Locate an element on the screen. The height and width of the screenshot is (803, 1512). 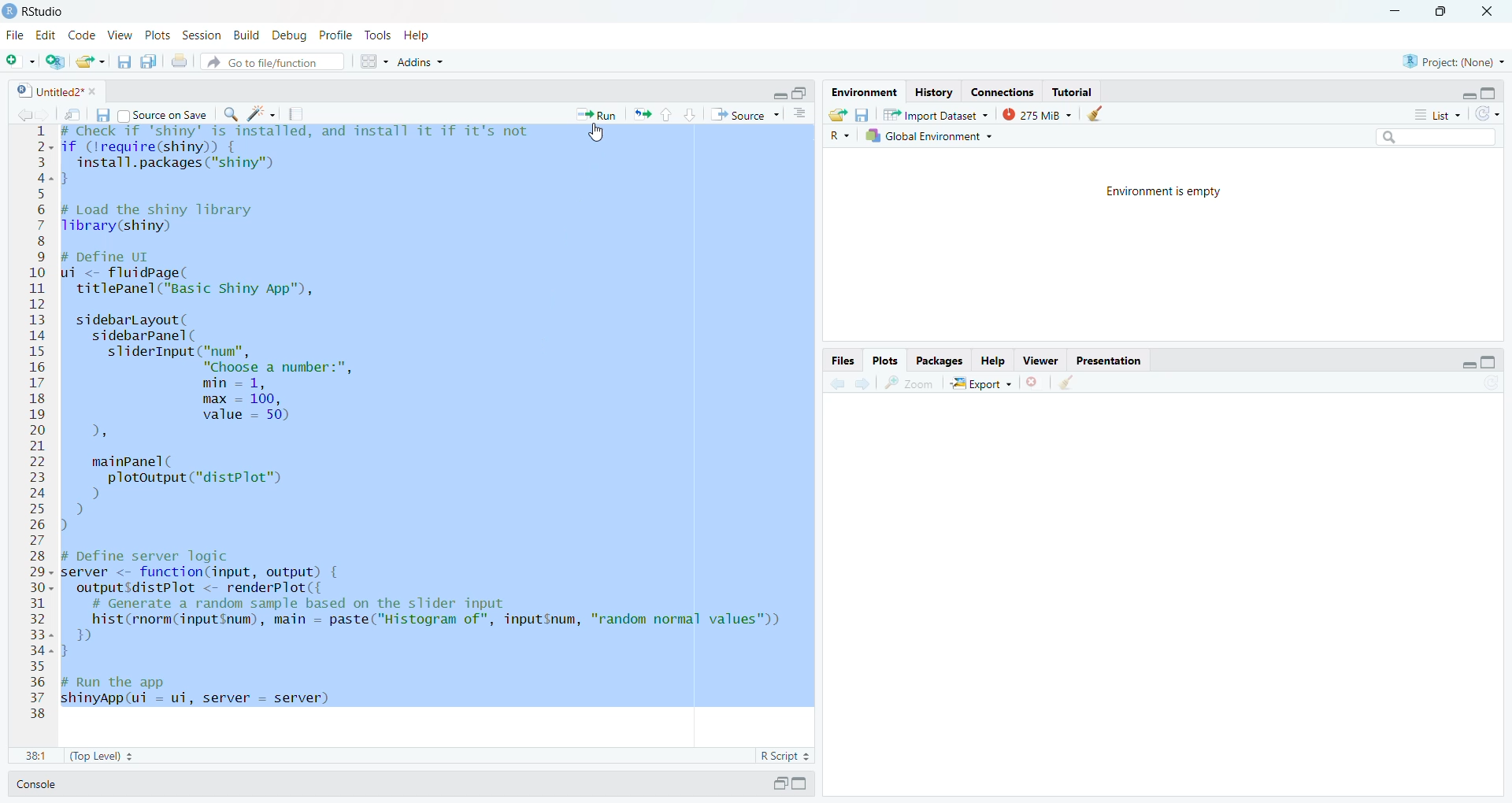
rerun is located at coordinates (642, 114).